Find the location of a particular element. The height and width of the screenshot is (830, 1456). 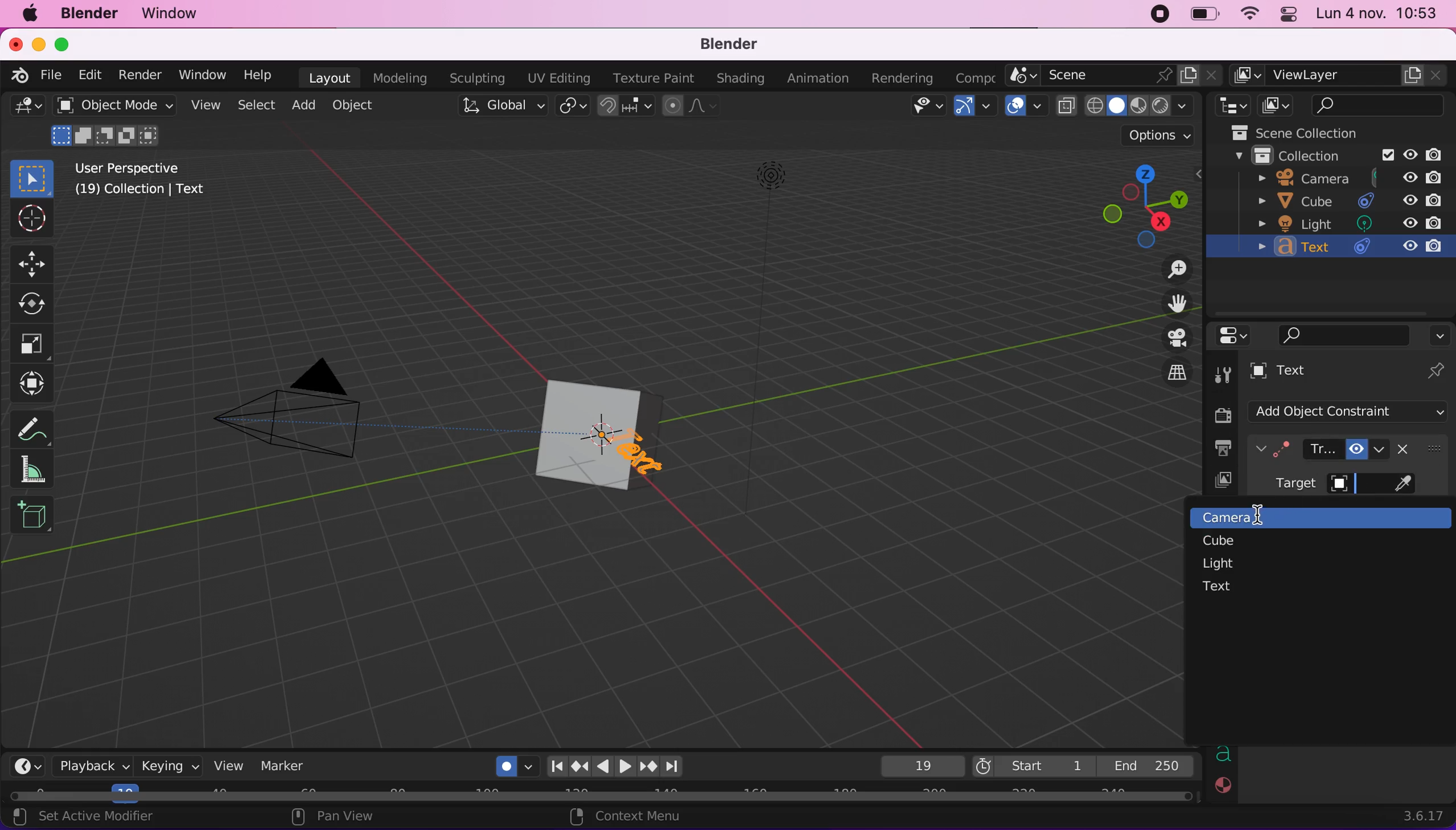

add cube is located at coordinates (33, 521).